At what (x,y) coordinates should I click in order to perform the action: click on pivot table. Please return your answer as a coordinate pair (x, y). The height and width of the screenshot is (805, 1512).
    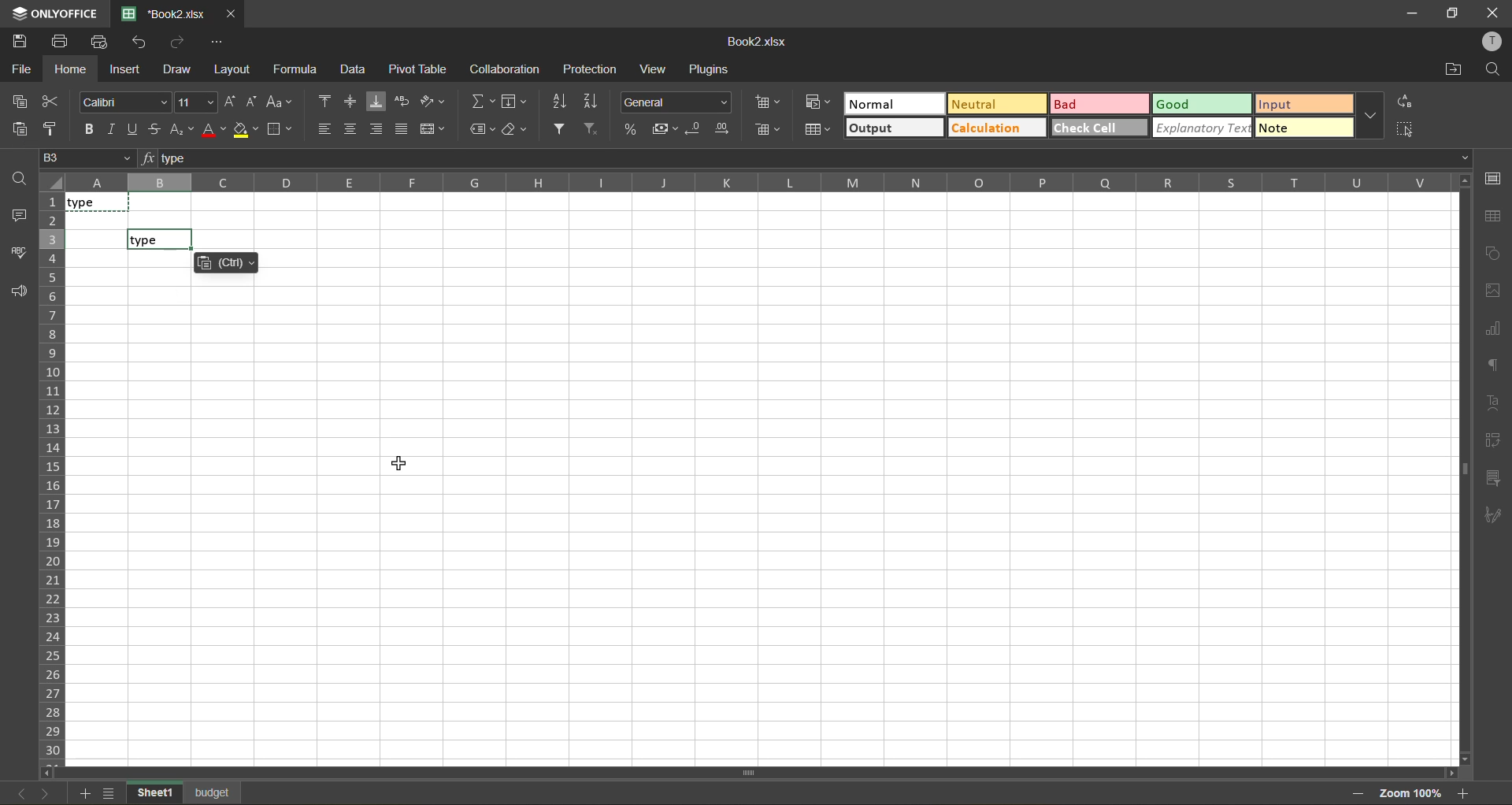
    Looking at the image, I should click on (419, 69).